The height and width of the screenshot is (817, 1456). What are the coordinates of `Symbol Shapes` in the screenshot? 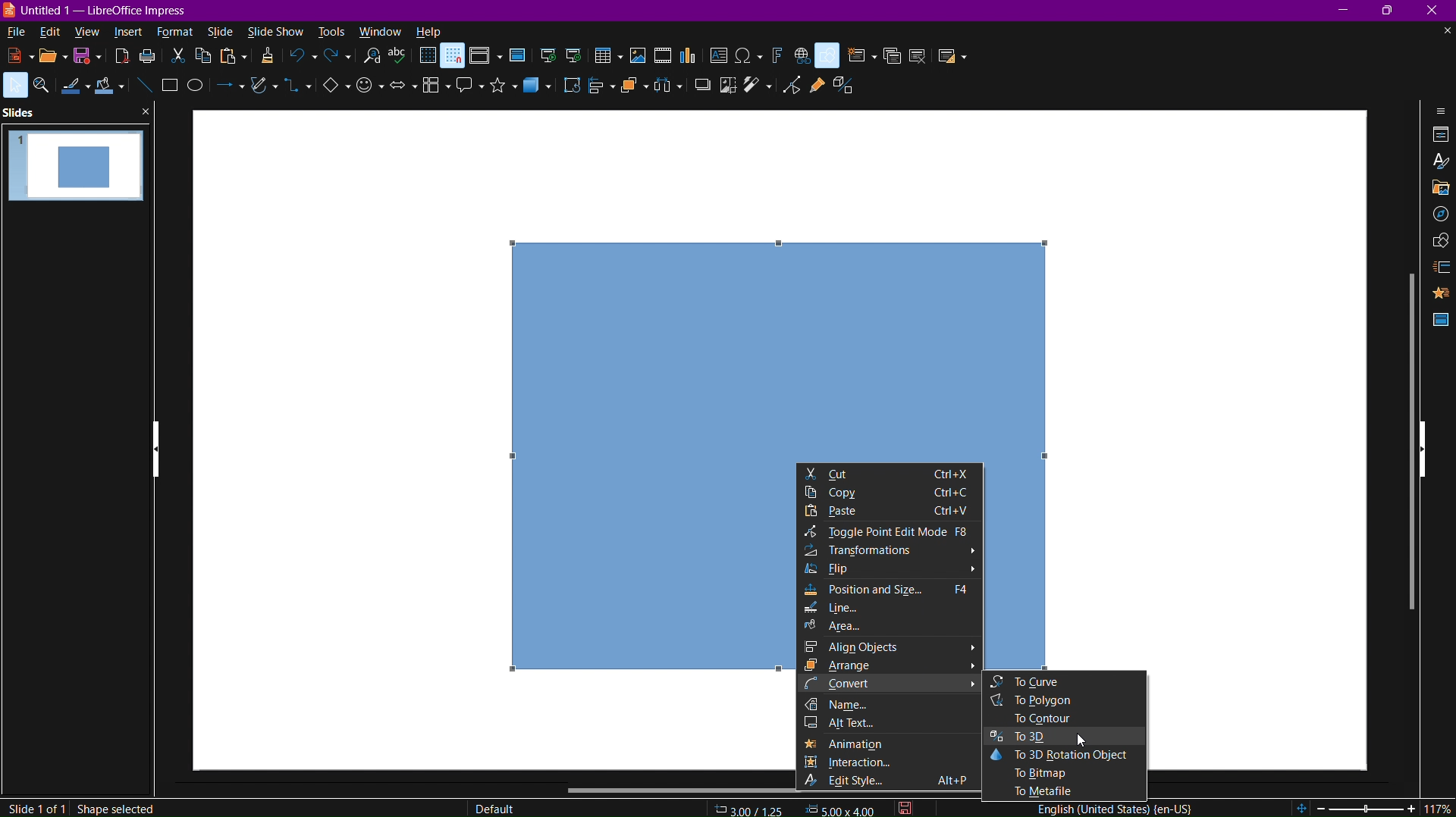 It's located at (369, 93).